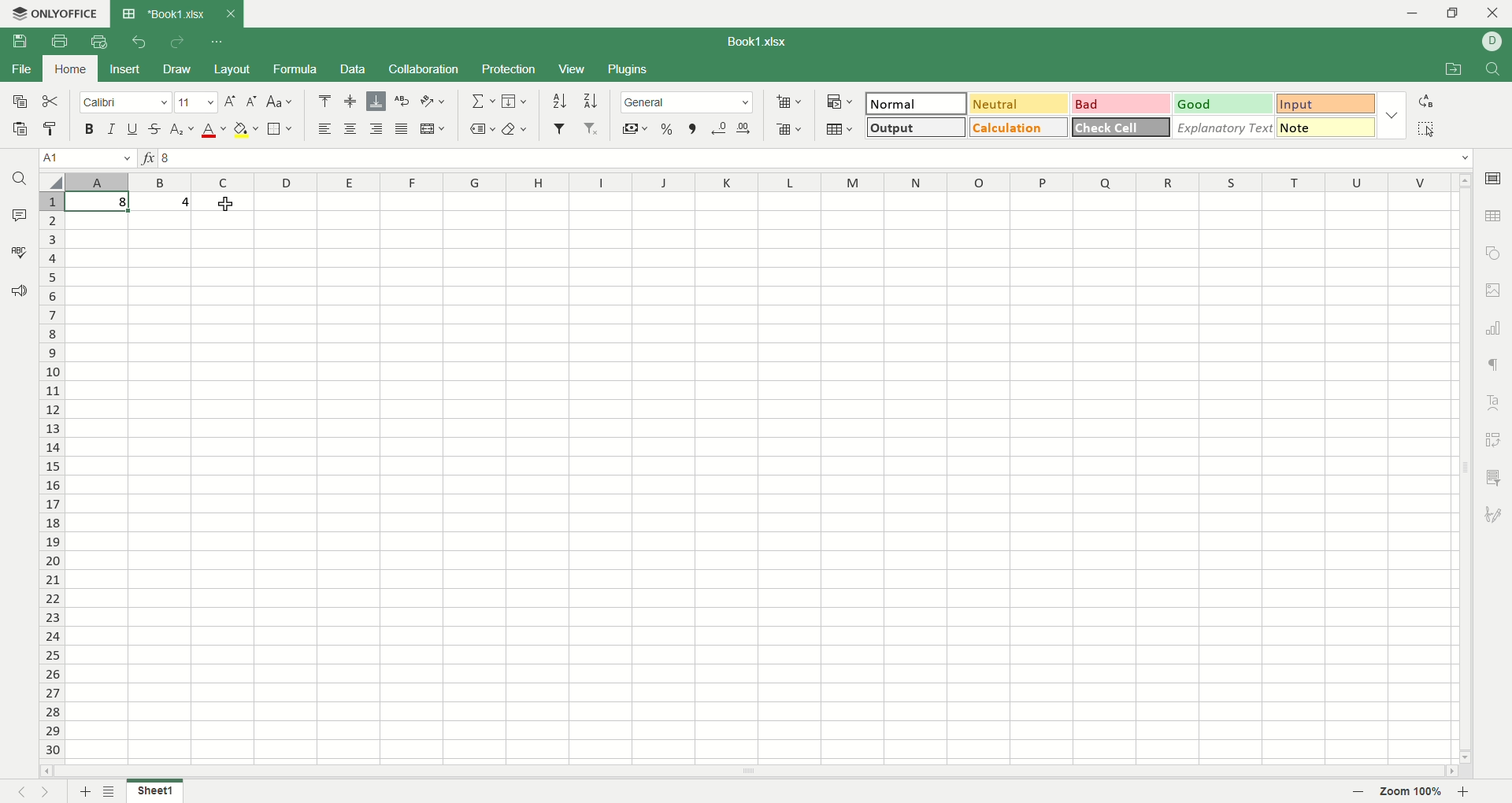  I want to click on zoom out, so click(1359, 792).